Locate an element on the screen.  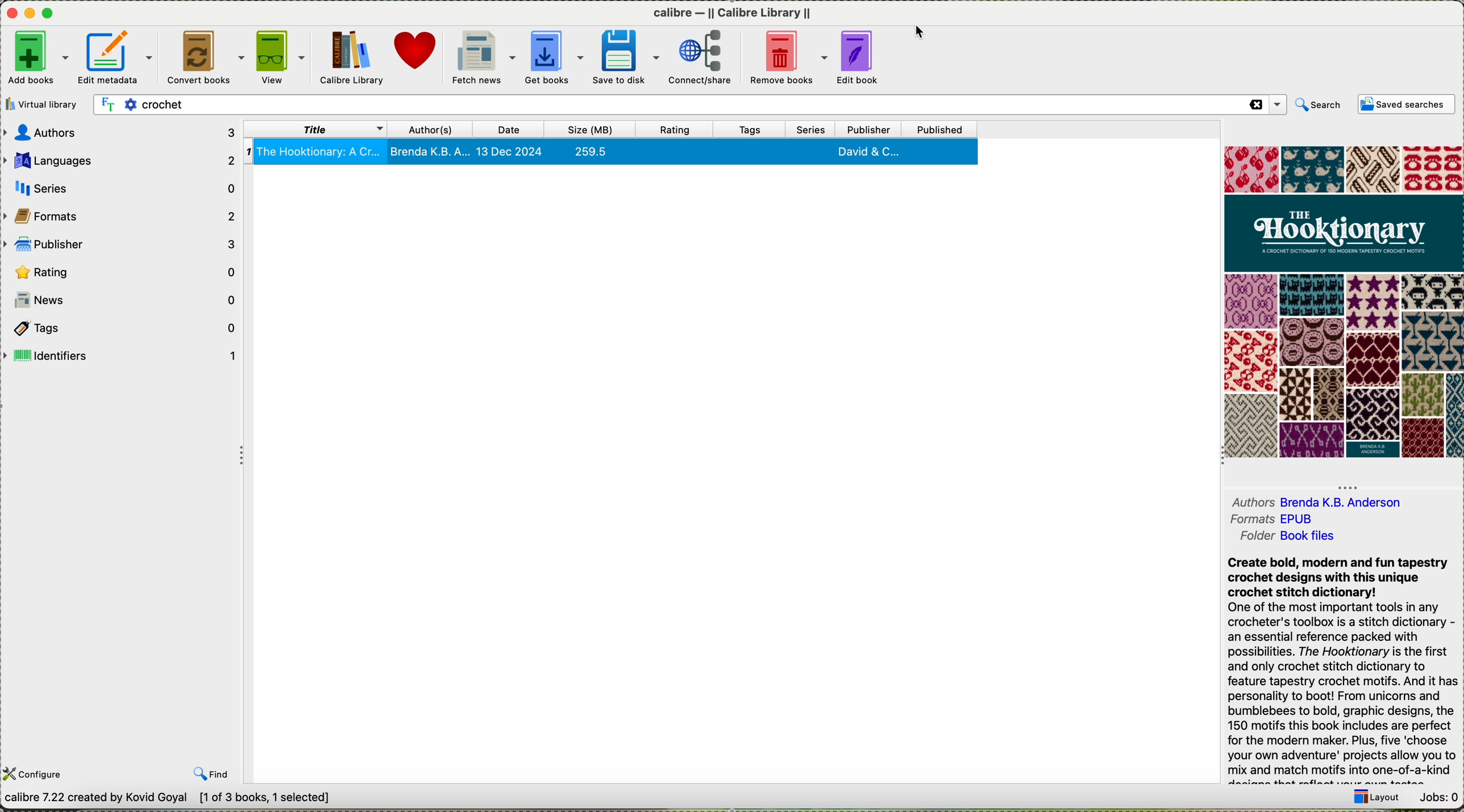
save to disk is located at coordinates (626, 56).